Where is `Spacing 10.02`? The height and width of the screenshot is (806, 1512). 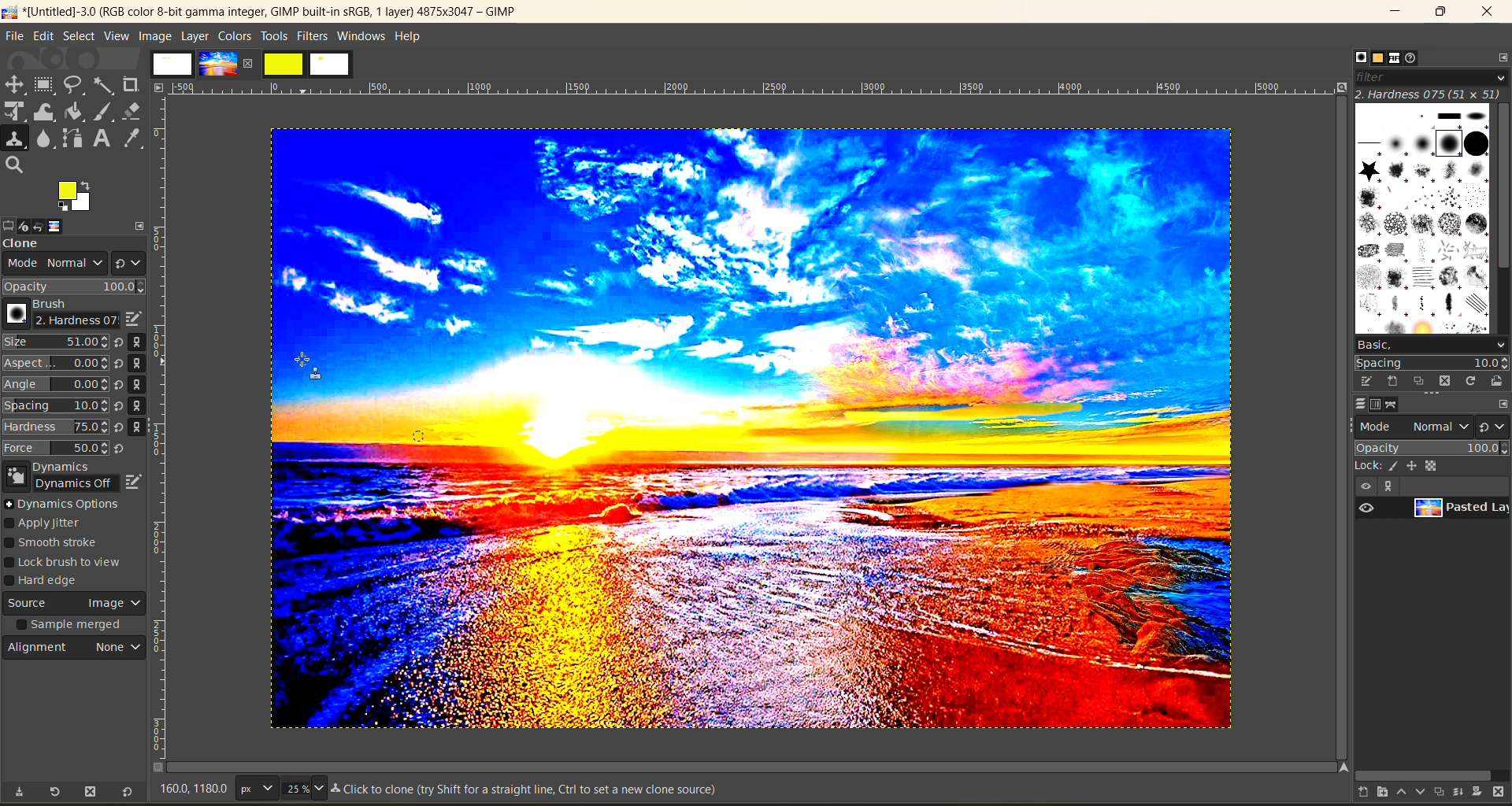 Spacing 10.02 is located at coordinates (57, 405).